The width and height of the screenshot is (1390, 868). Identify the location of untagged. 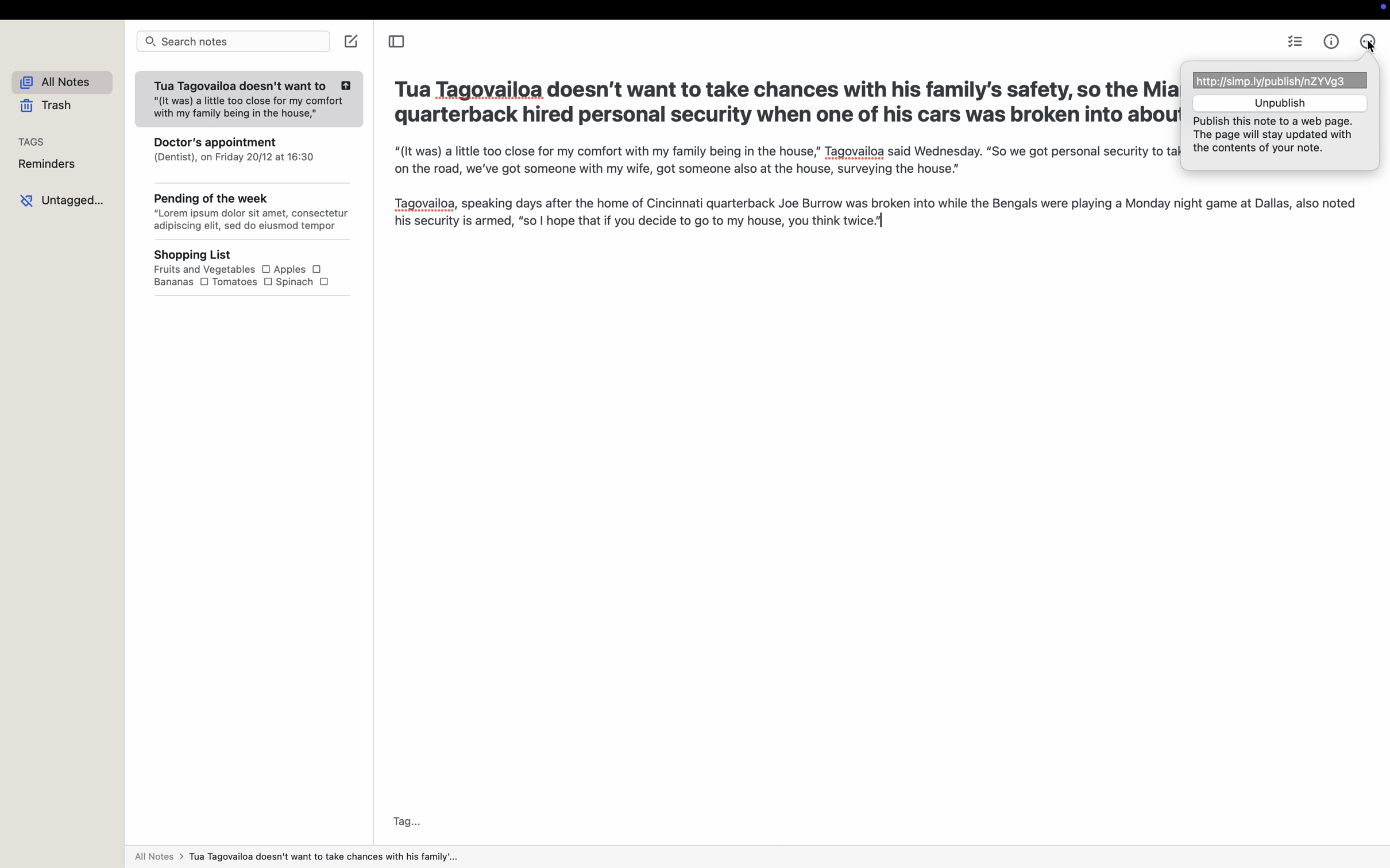
(65, 199).